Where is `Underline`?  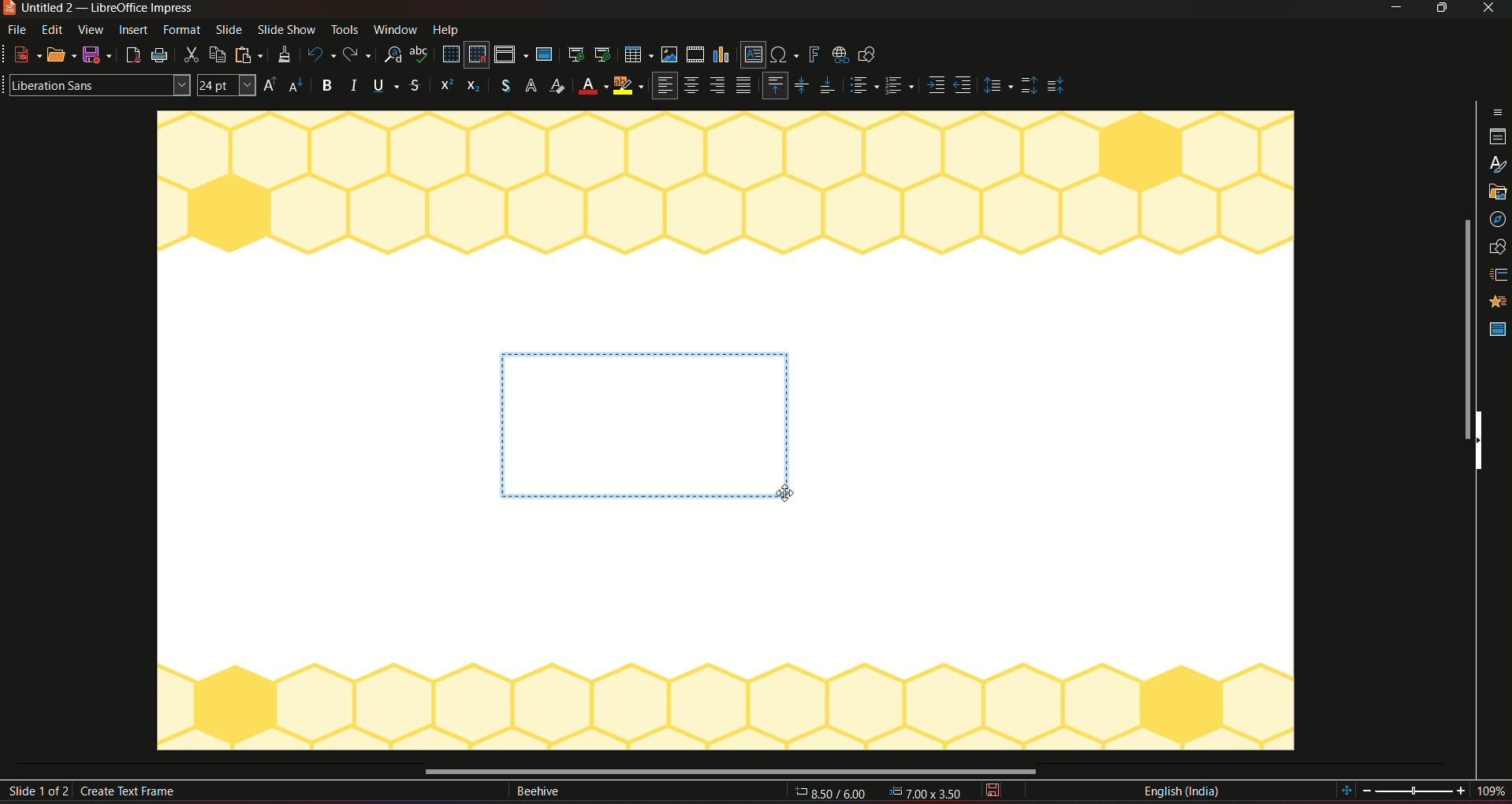
Underline is located at coordinates (386, 84).